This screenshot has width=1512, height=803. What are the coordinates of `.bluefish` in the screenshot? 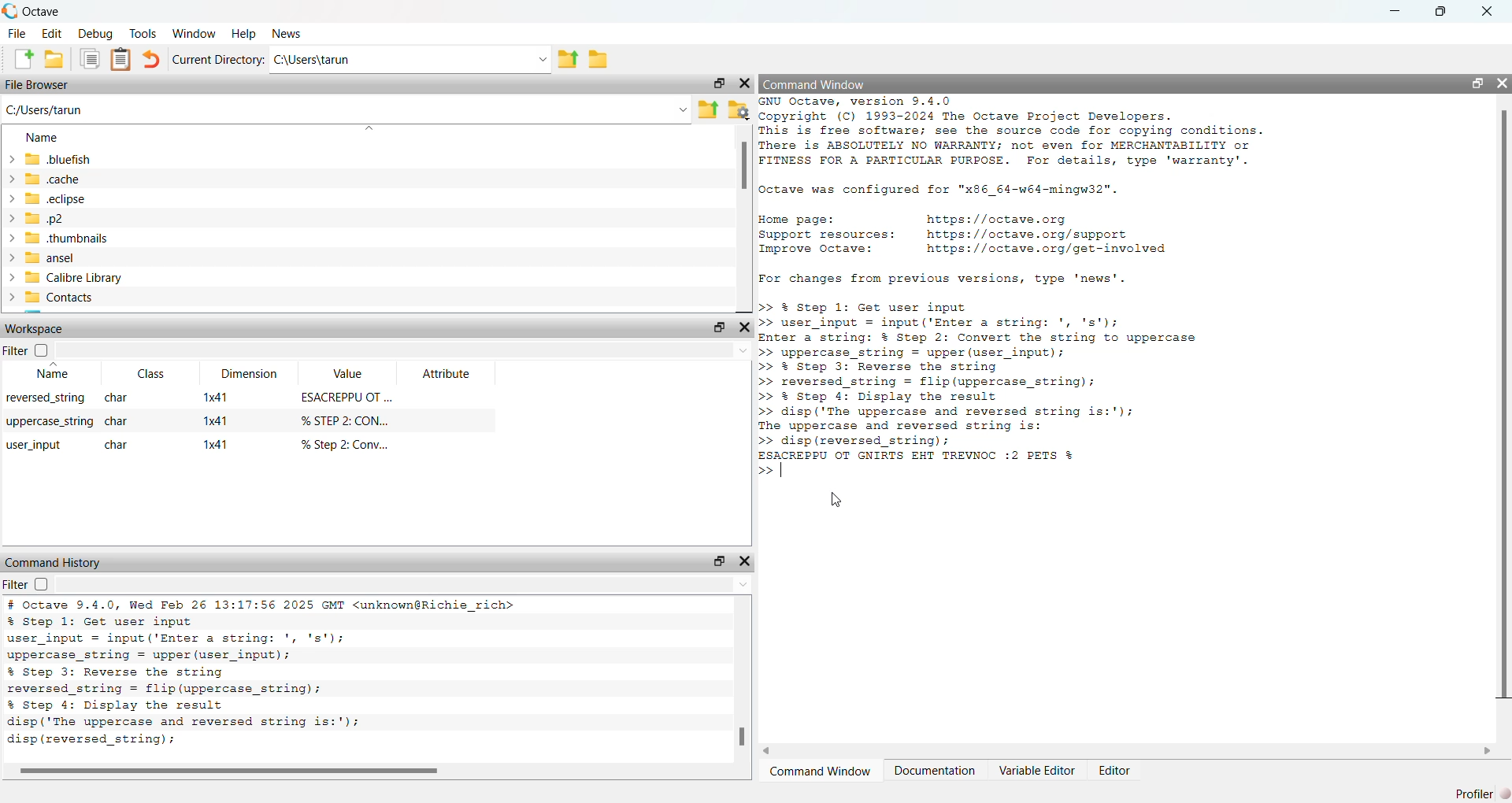 It's located at (113, 159).